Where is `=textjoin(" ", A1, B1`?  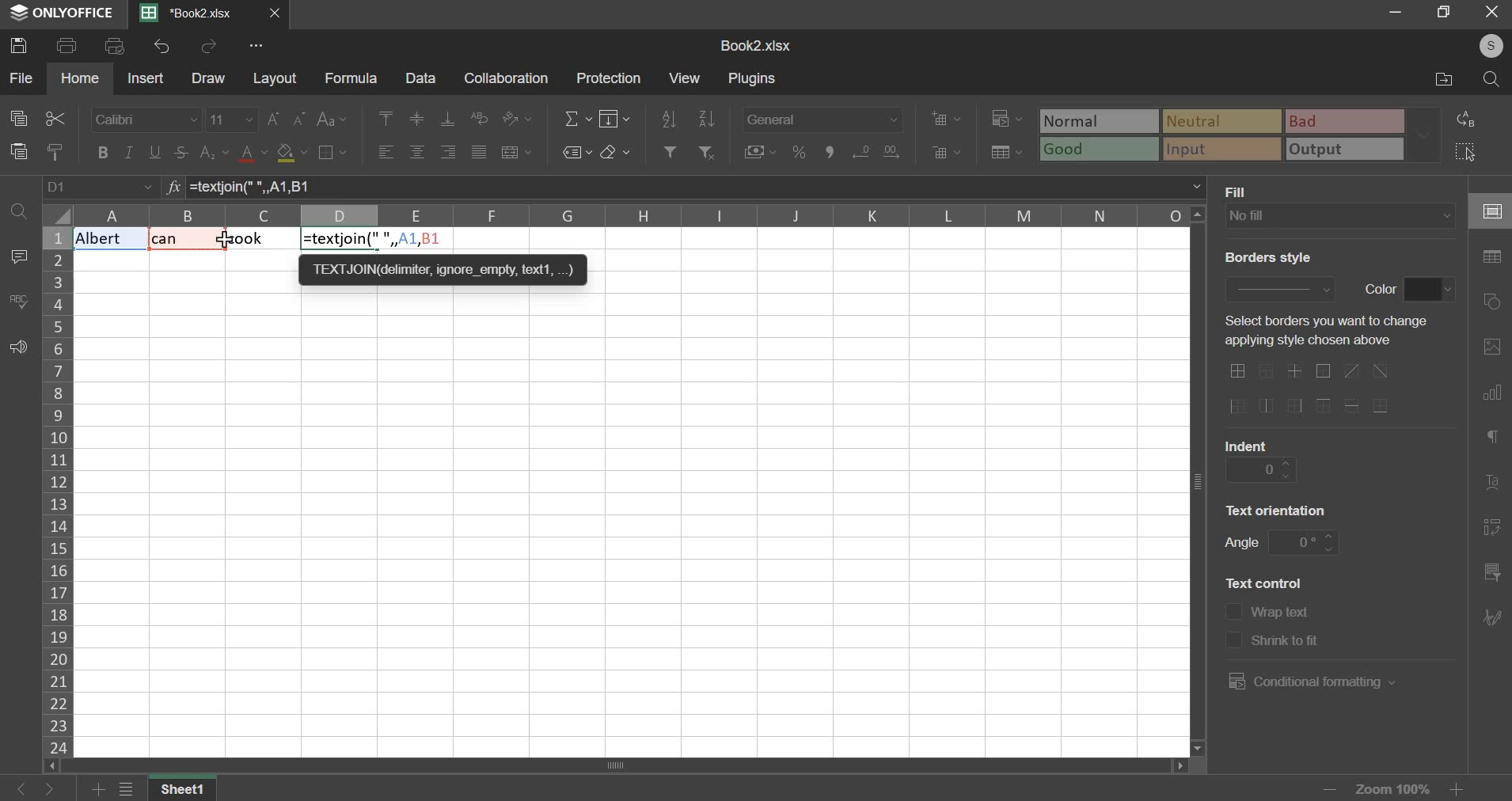 =textjoin(" ", A1, B1 is located at coordinates (697, 187).